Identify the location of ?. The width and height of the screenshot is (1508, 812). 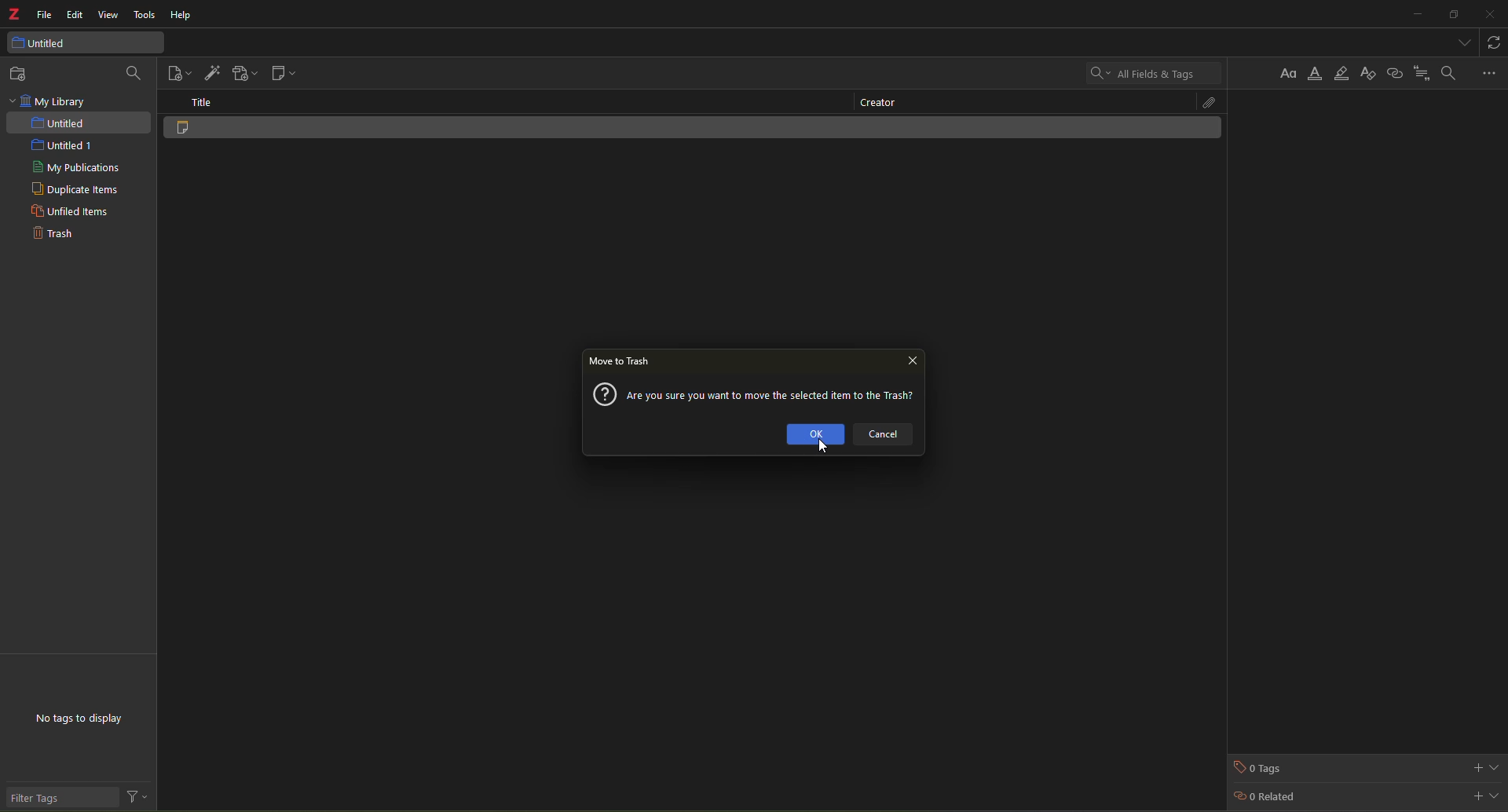
(602, 394).